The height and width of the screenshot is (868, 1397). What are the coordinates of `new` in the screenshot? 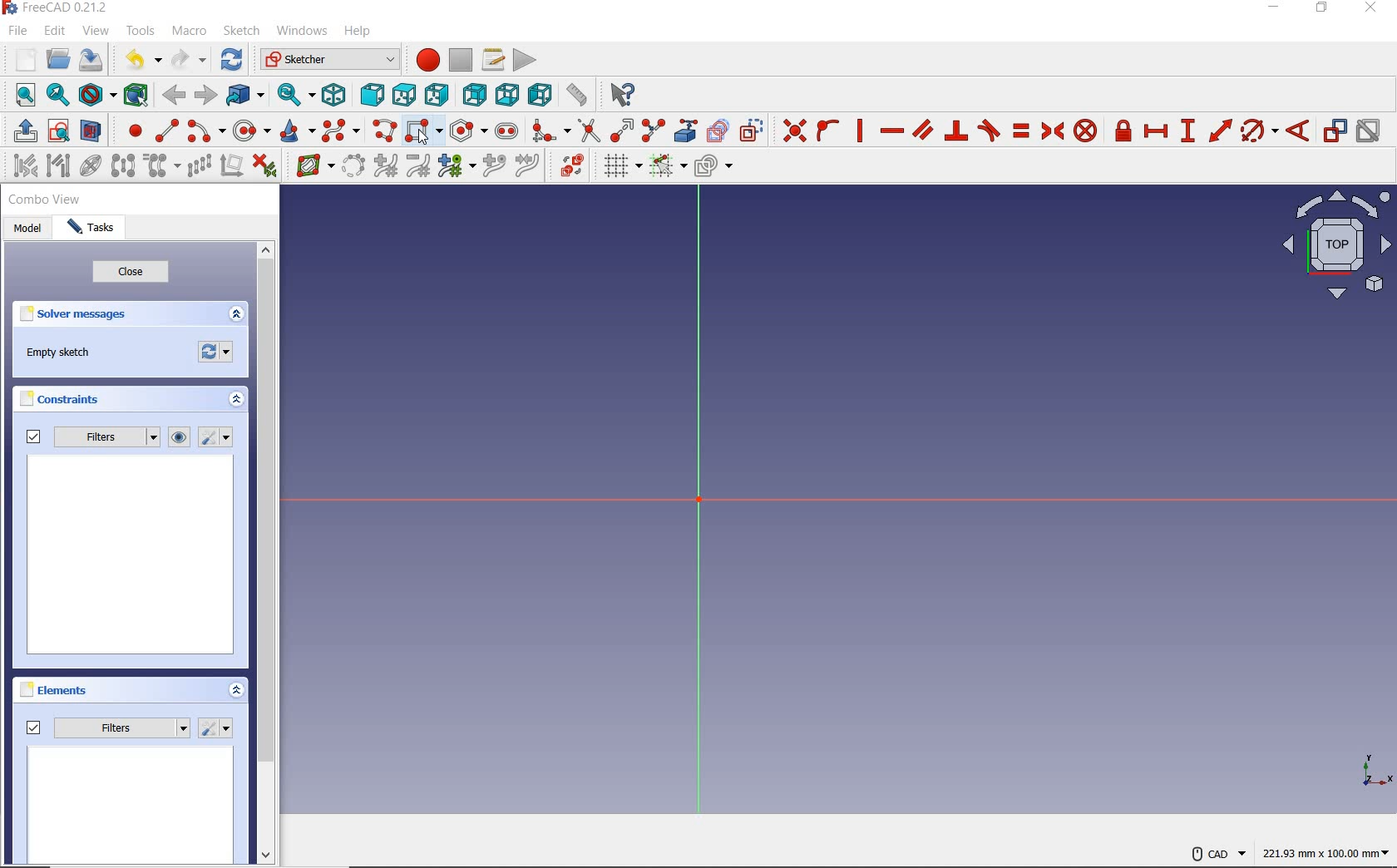 It's located at (19, 59).